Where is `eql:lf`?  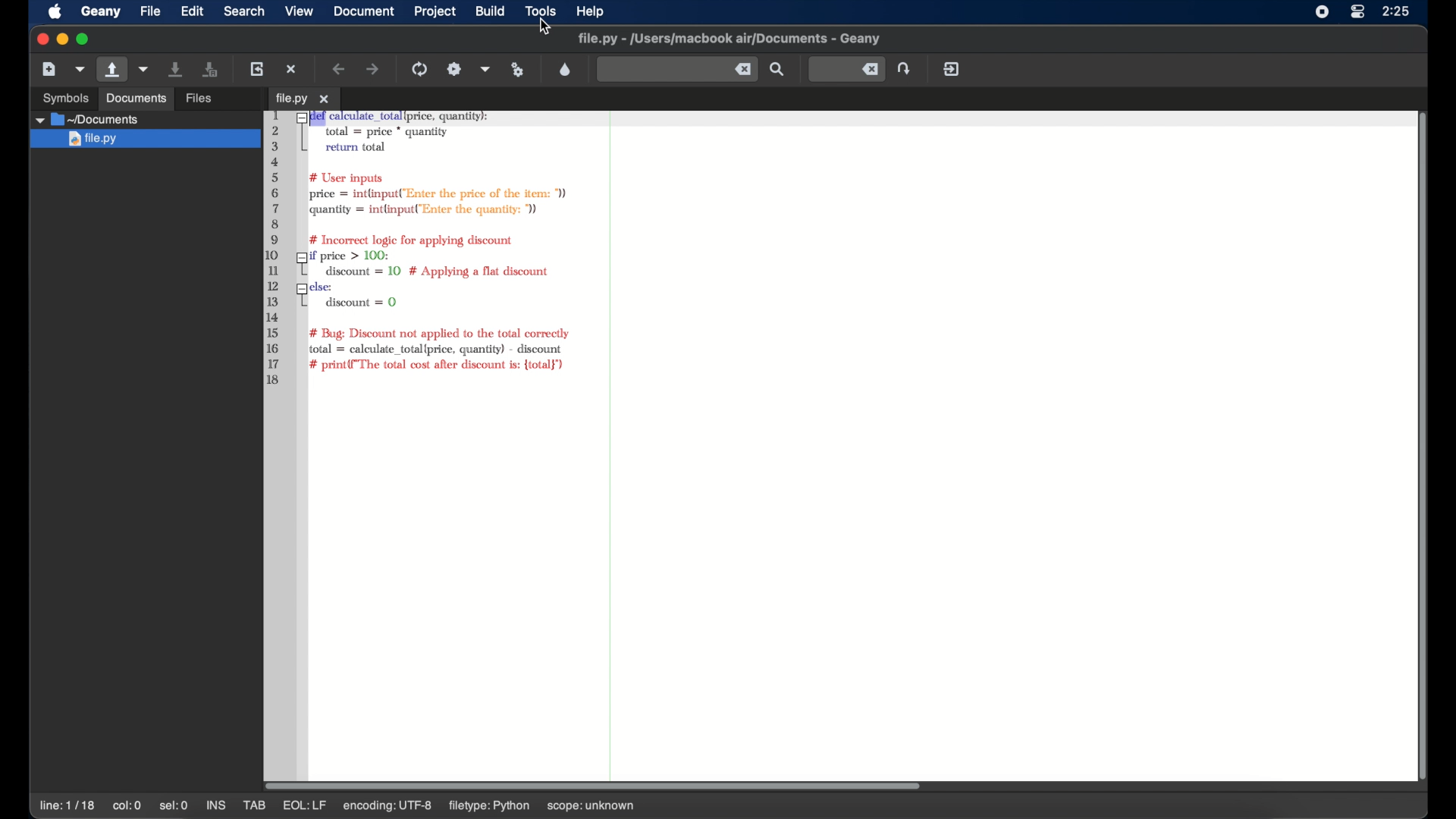 eql:lf is located at coordinates (350, 805).